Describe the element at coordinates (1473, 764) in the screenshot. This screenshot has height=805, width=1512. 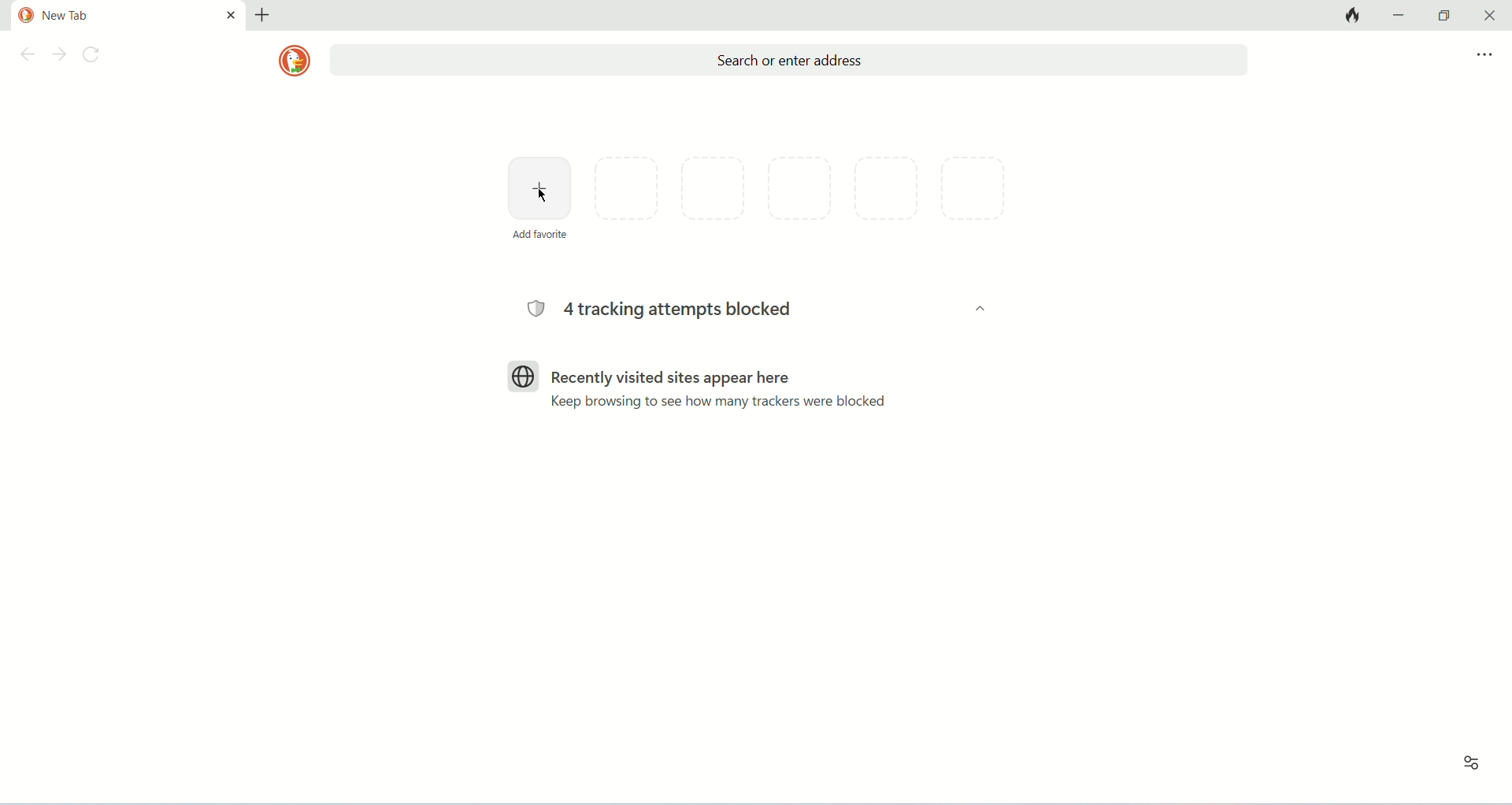
I see `view option` at that location.